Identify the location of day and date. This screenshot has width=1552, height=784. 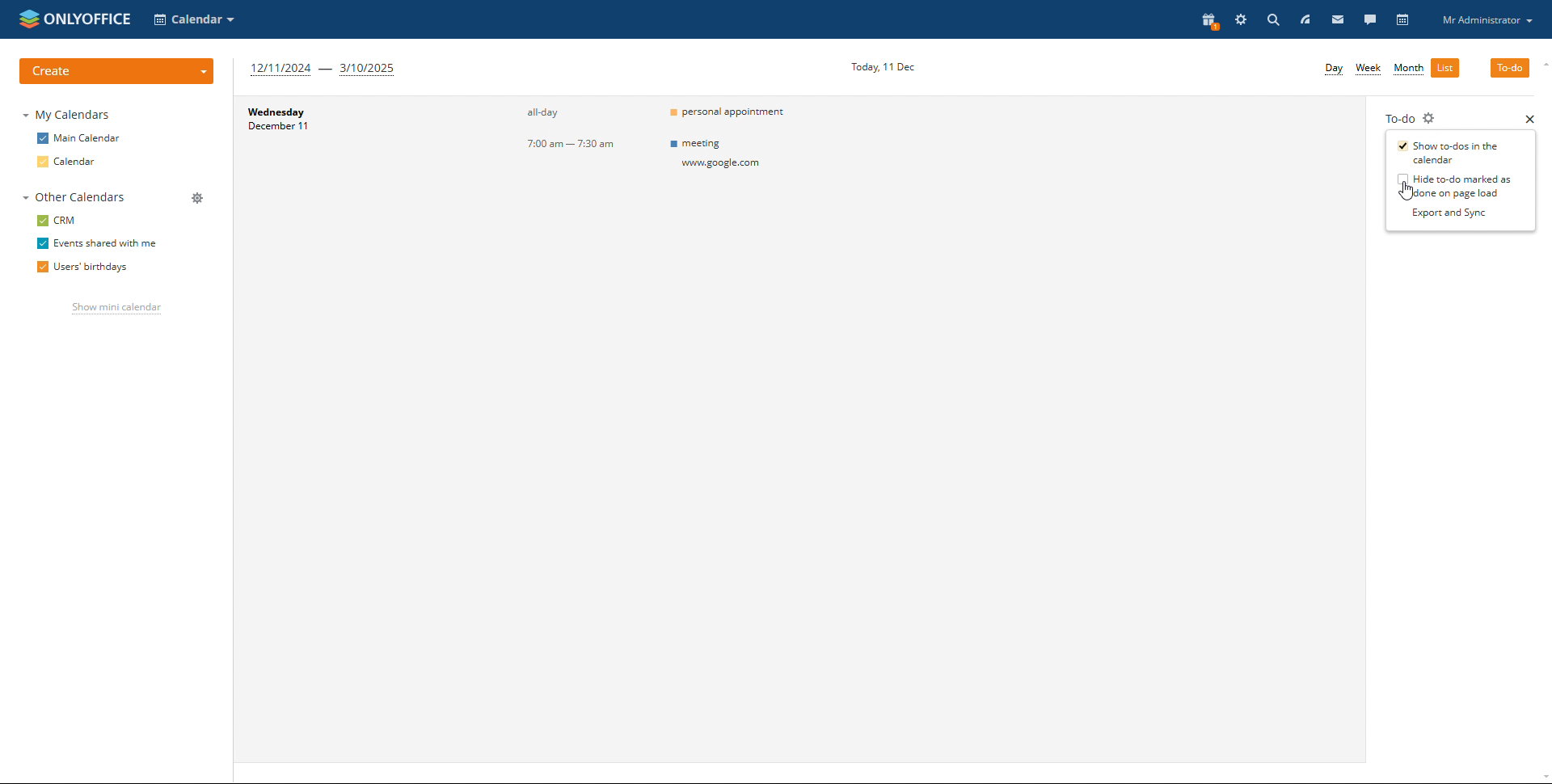
(310, 124).